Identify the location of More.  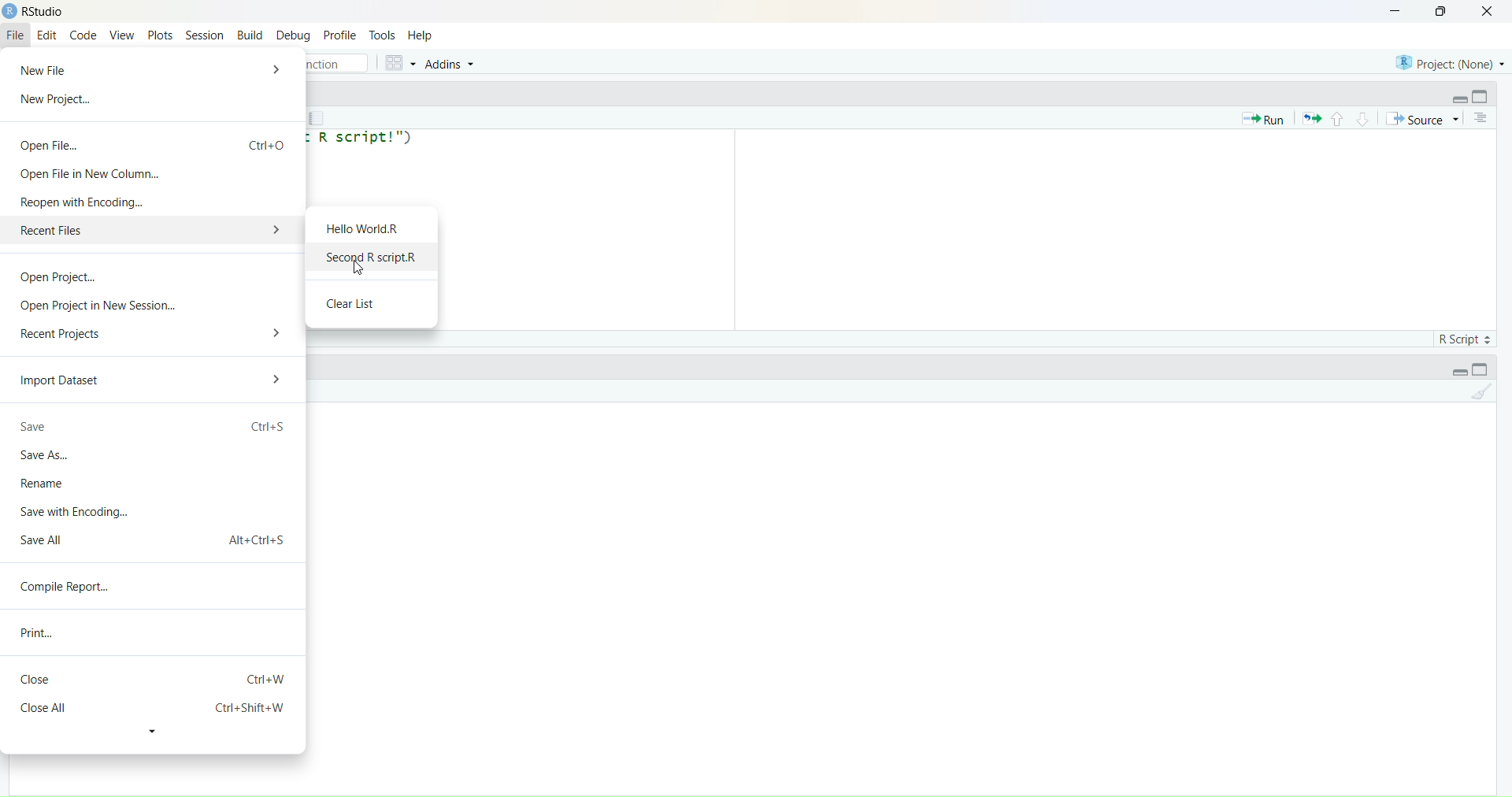
(277, 331).